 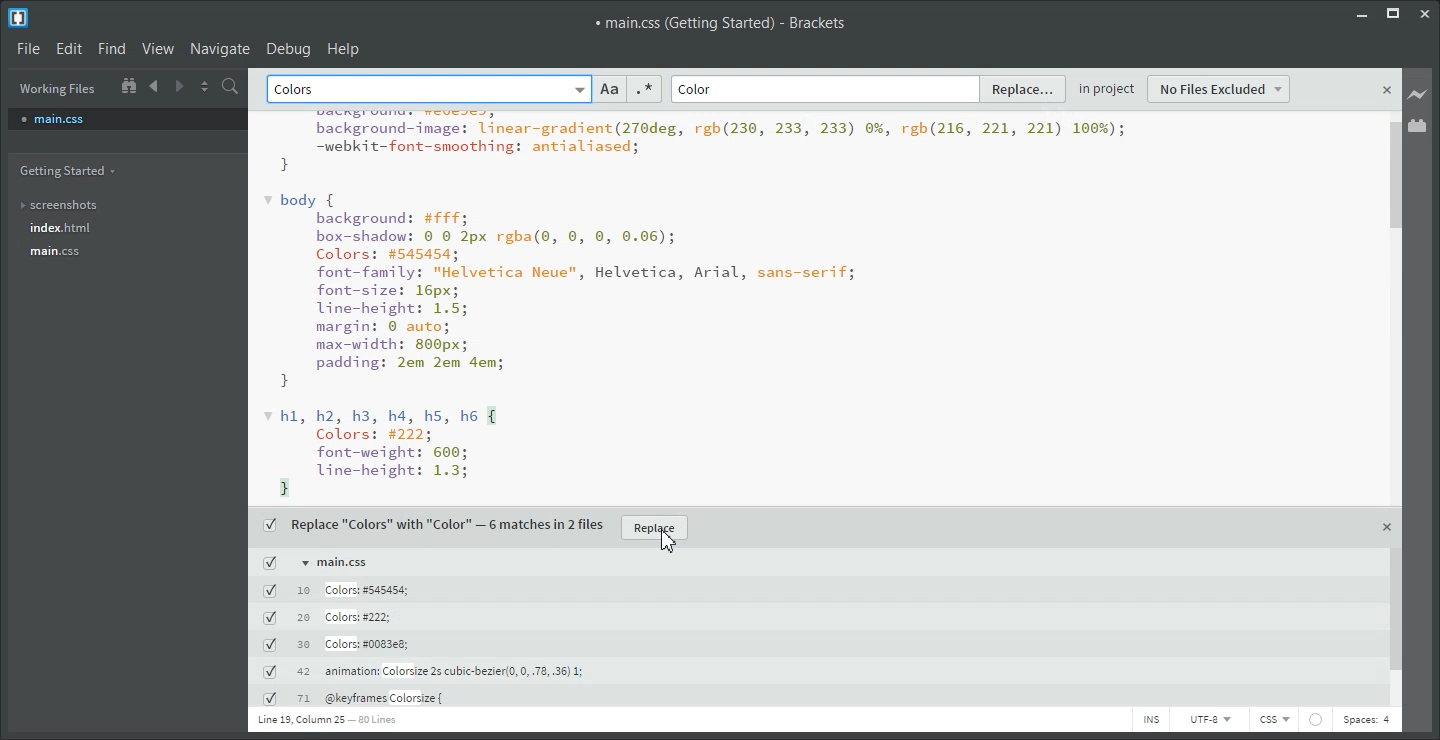 I want to click on File, so click(x=27, y=47).